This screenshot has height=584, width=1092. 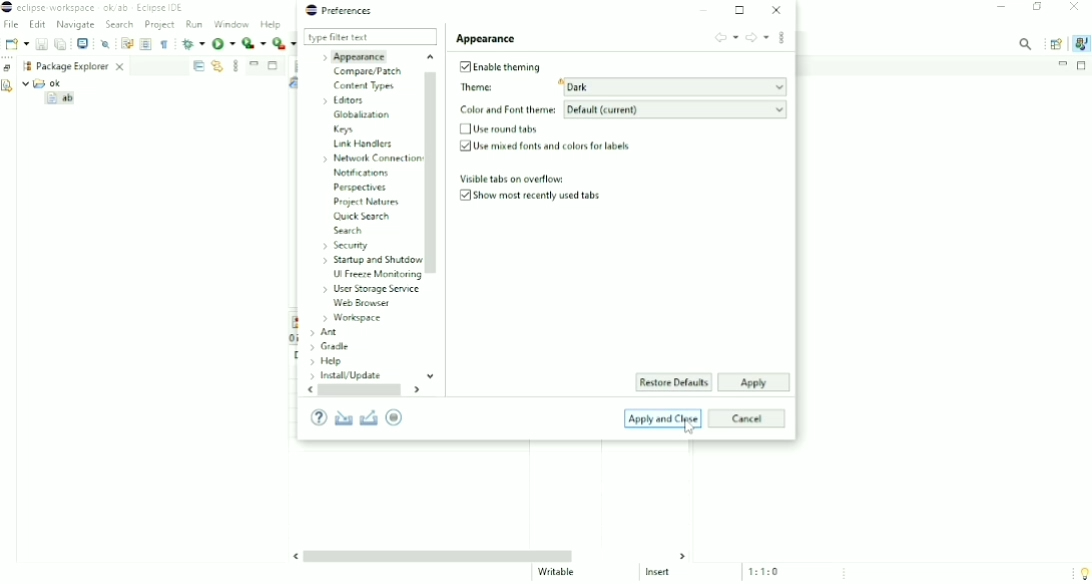 What do you see at coordinates (192, 43) in the screenshot?
I see `Debug` at bounding box center [192, 43].